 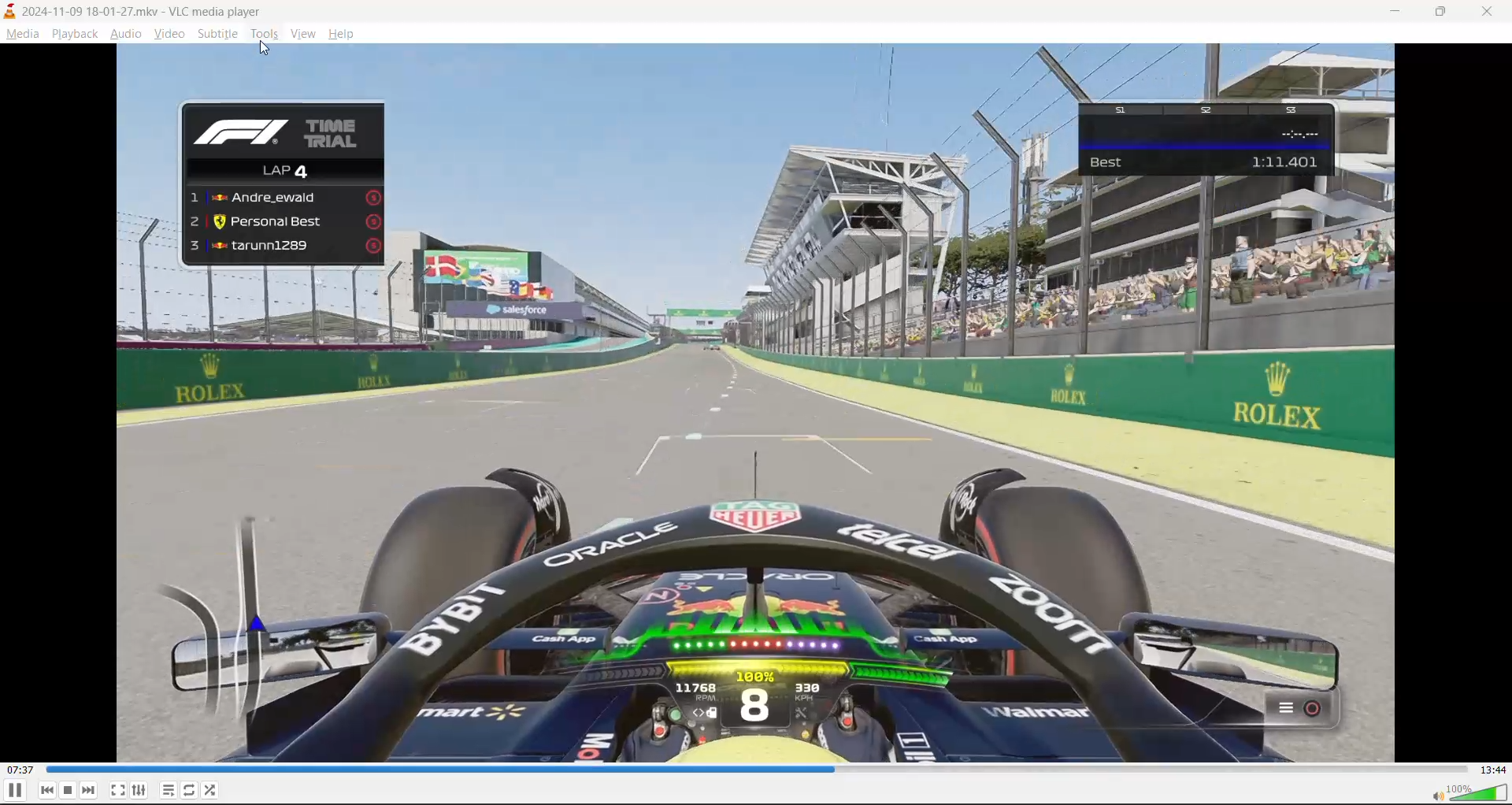 What do you see at coordinates (264, 33) in the screenshot?
I see `tools` at bounding box center [264, 33].